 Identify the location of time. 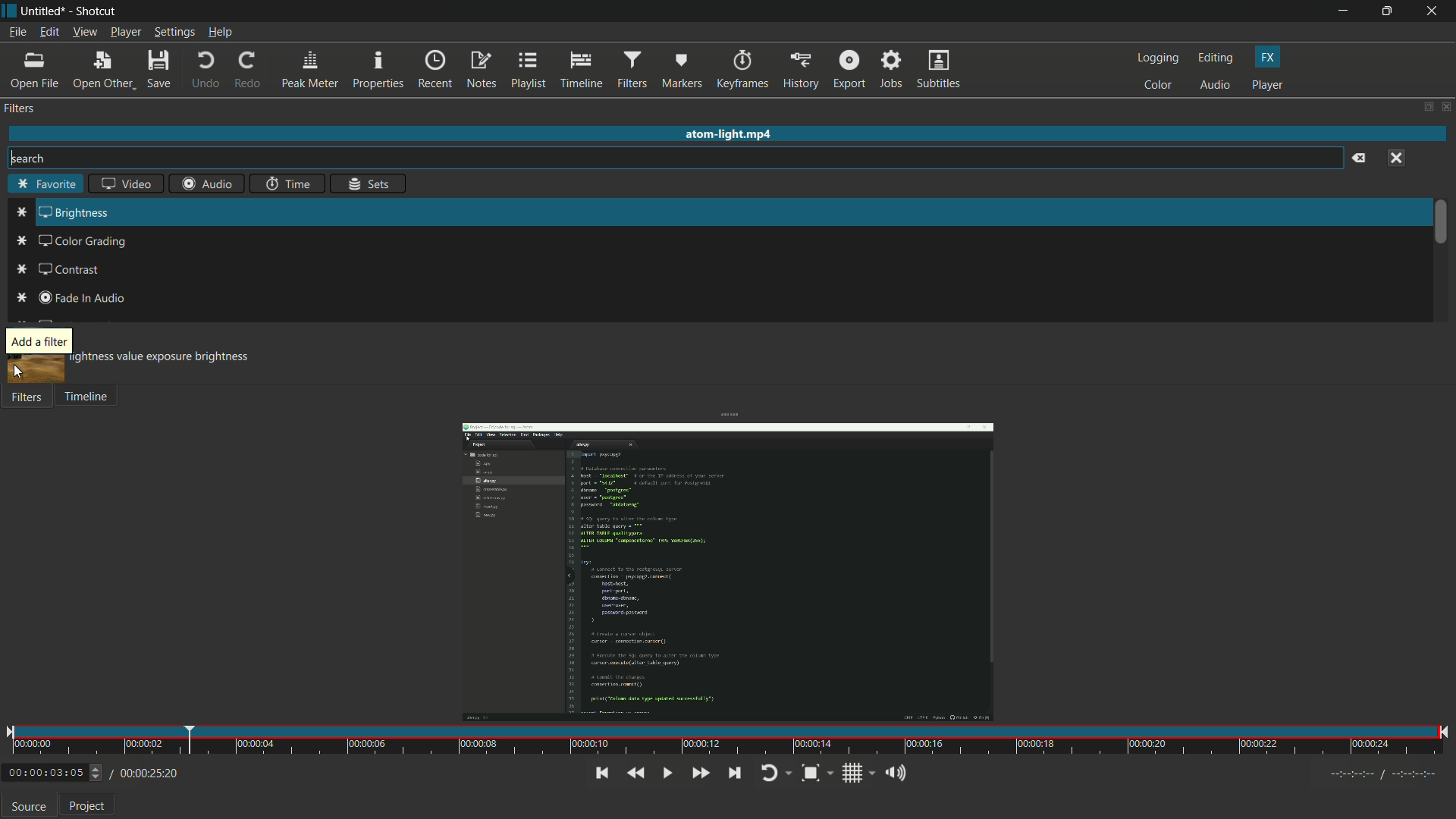
(286, 185).